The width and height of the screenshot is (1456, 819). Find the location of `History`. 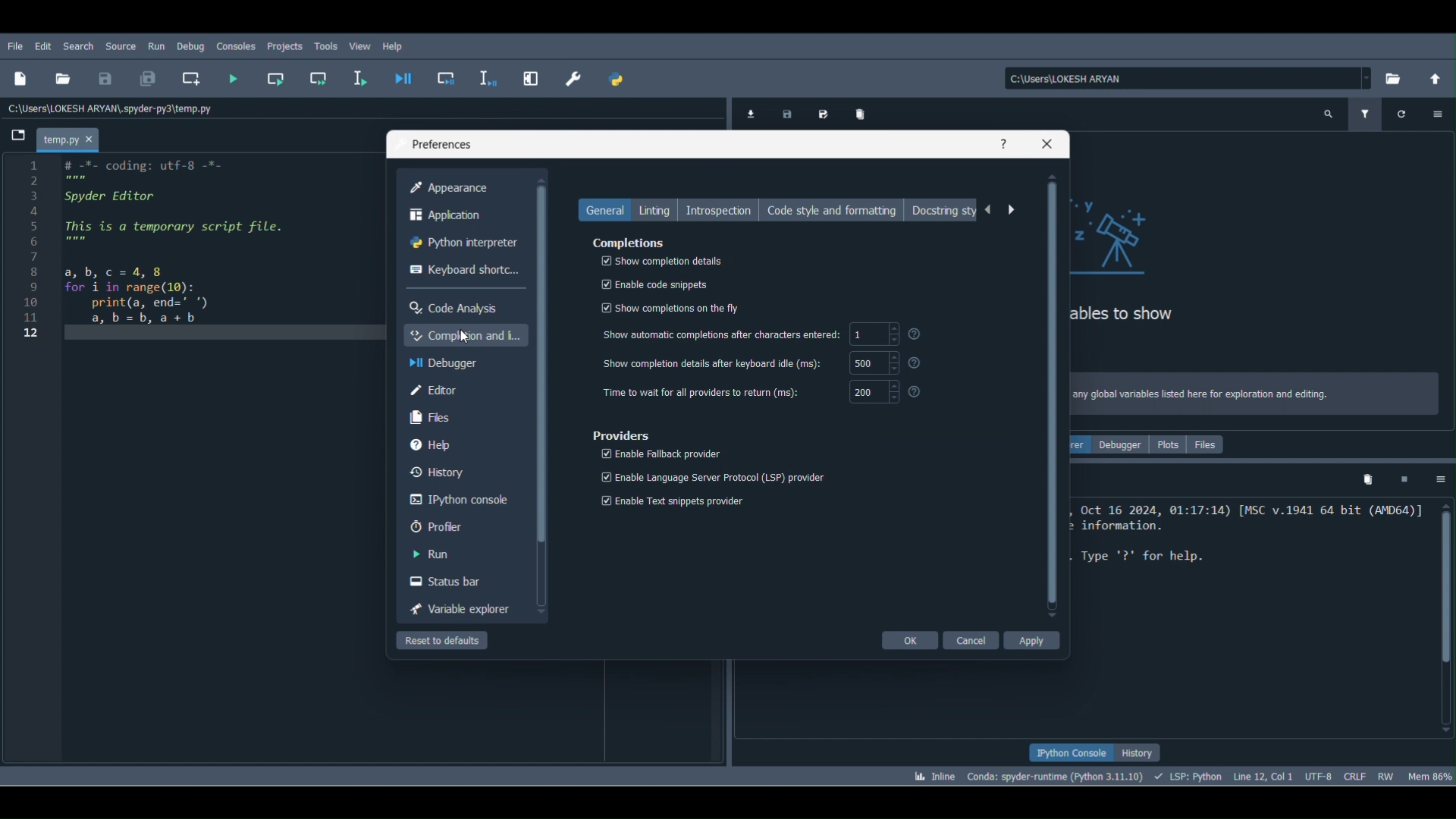

History is located at coordinates (1144, 748).